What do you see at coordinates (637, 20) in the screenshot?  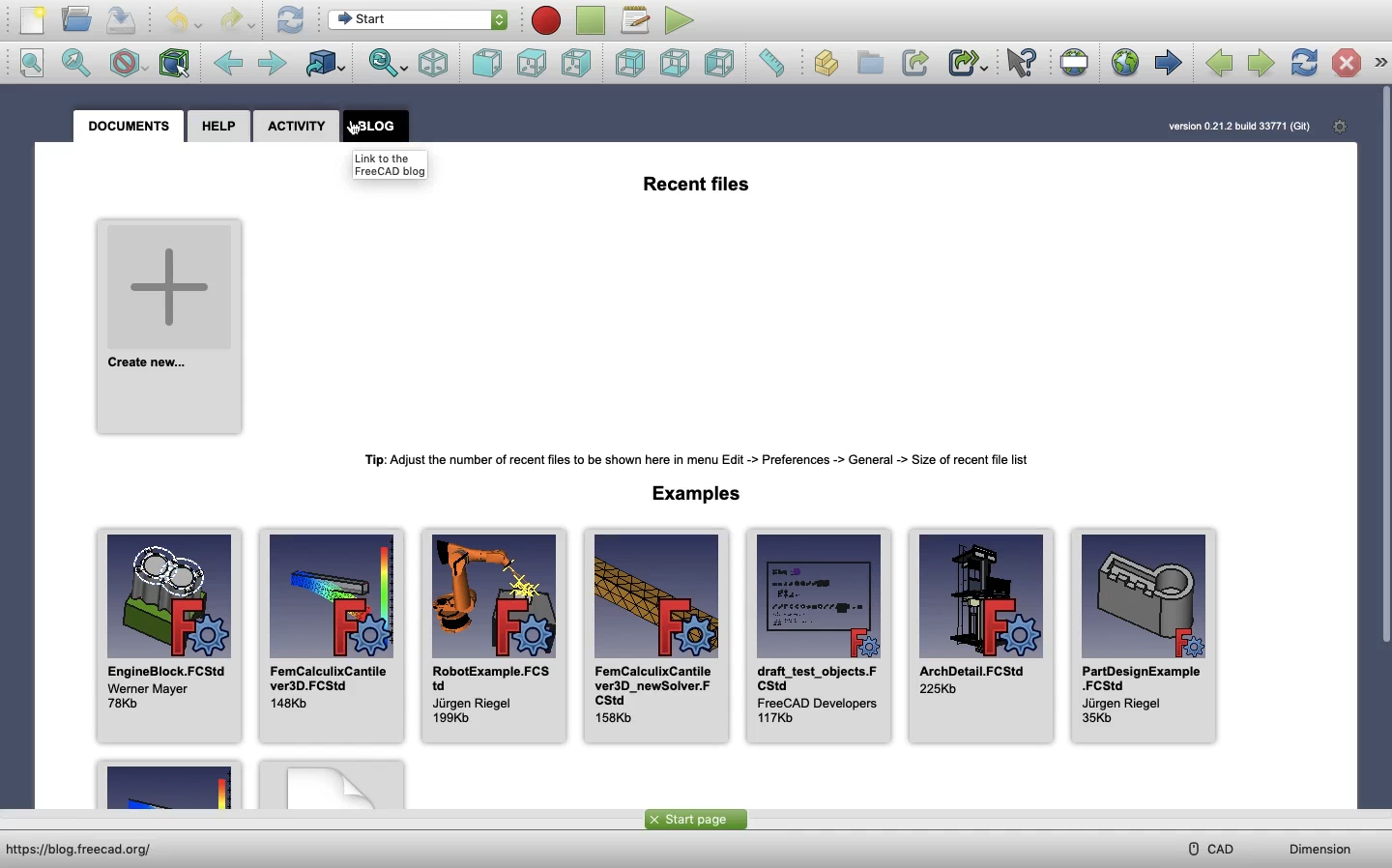 I see `Edit Macro` at bounding box center [637, 20].